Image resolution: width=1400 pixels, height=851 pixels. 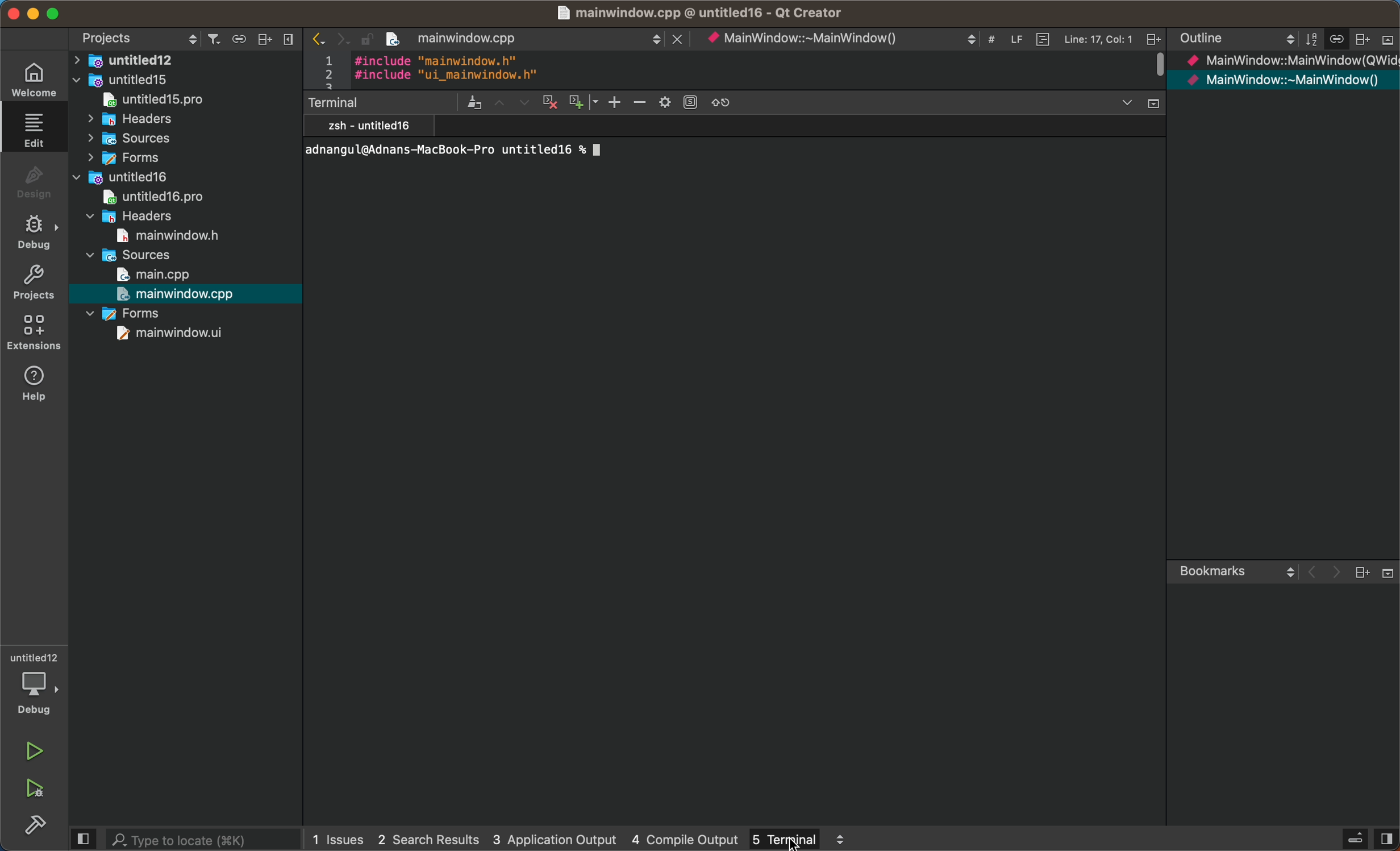 I want to click on edit, so click(x=35, y=129).